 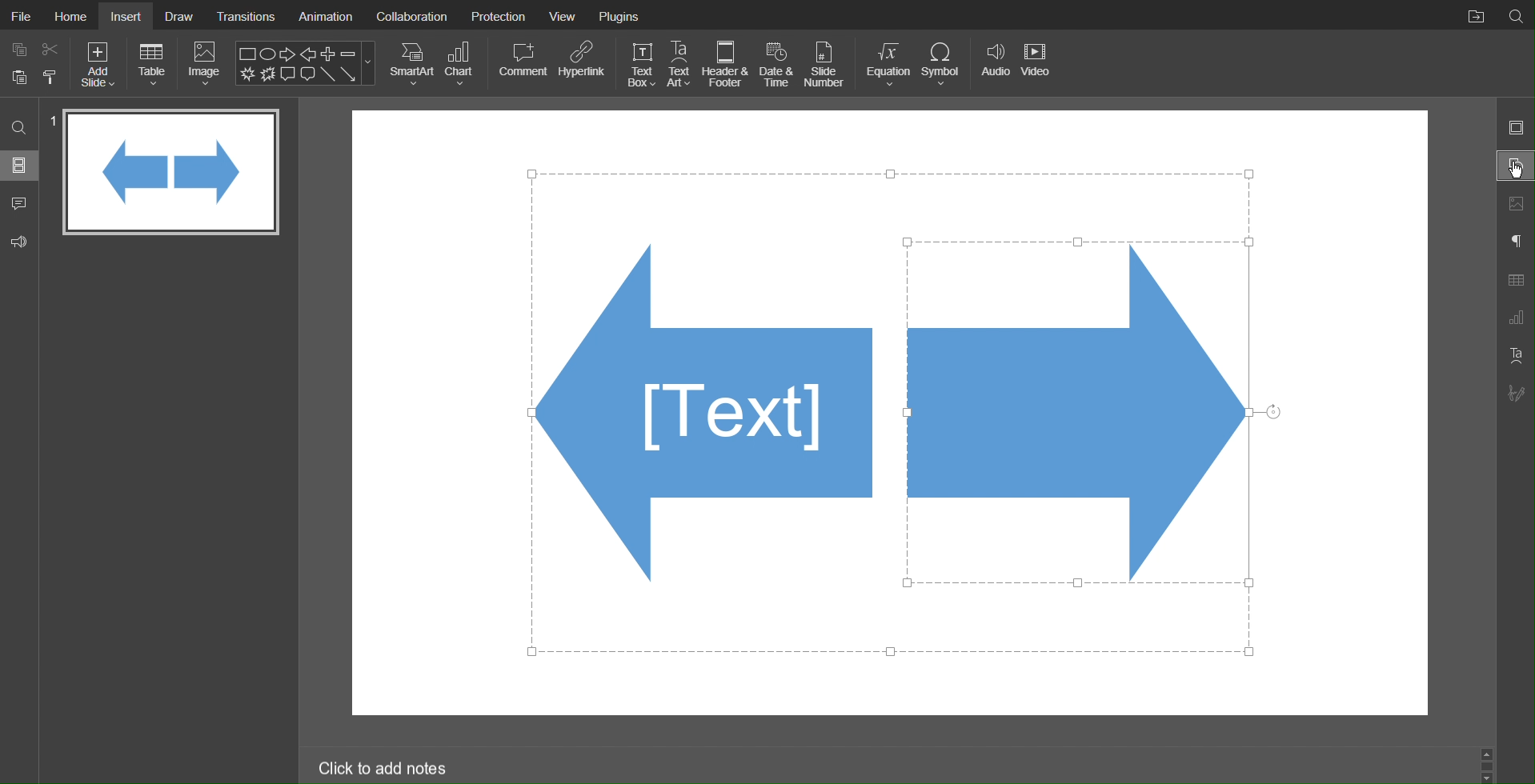 I want to click on Add Slide, so click(x=100, y=65).